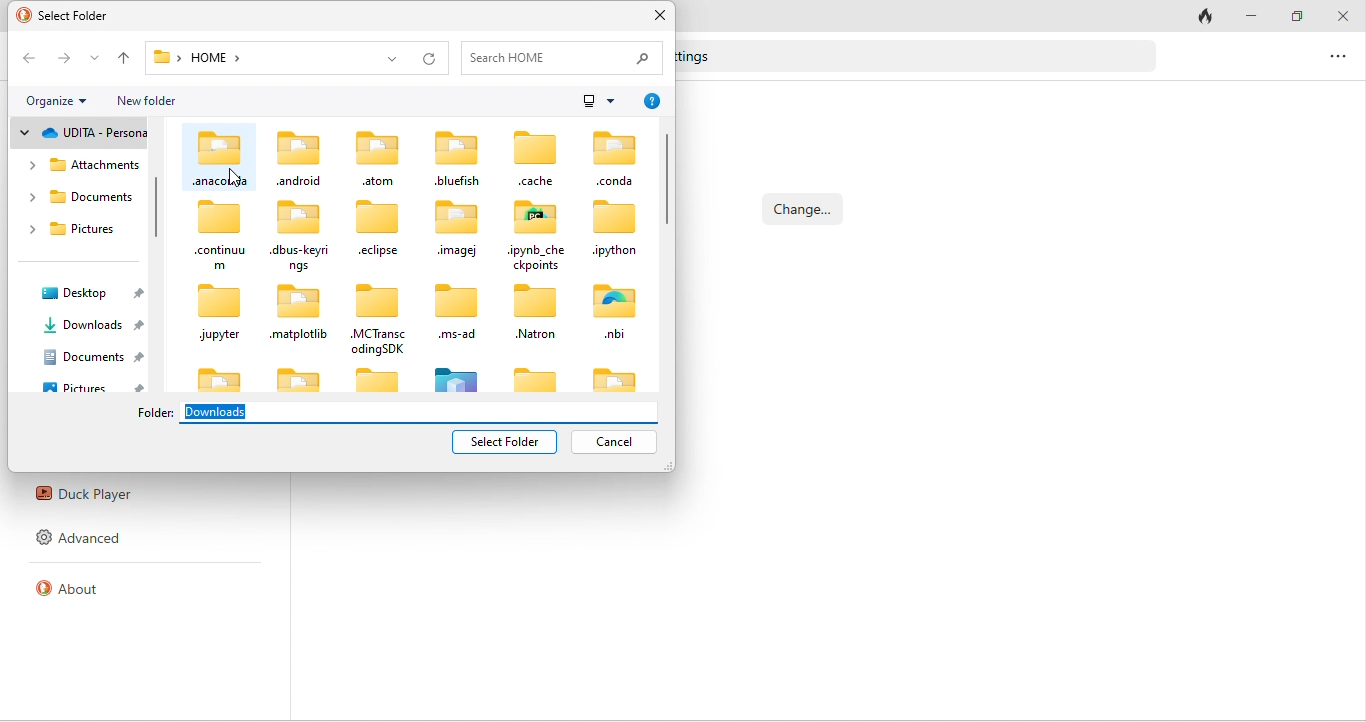 The width and height of the screenshot is (1366, 722). Describe the element at coordinates (453, 314) in the screenshot. I see `.ms-ad` at that location.